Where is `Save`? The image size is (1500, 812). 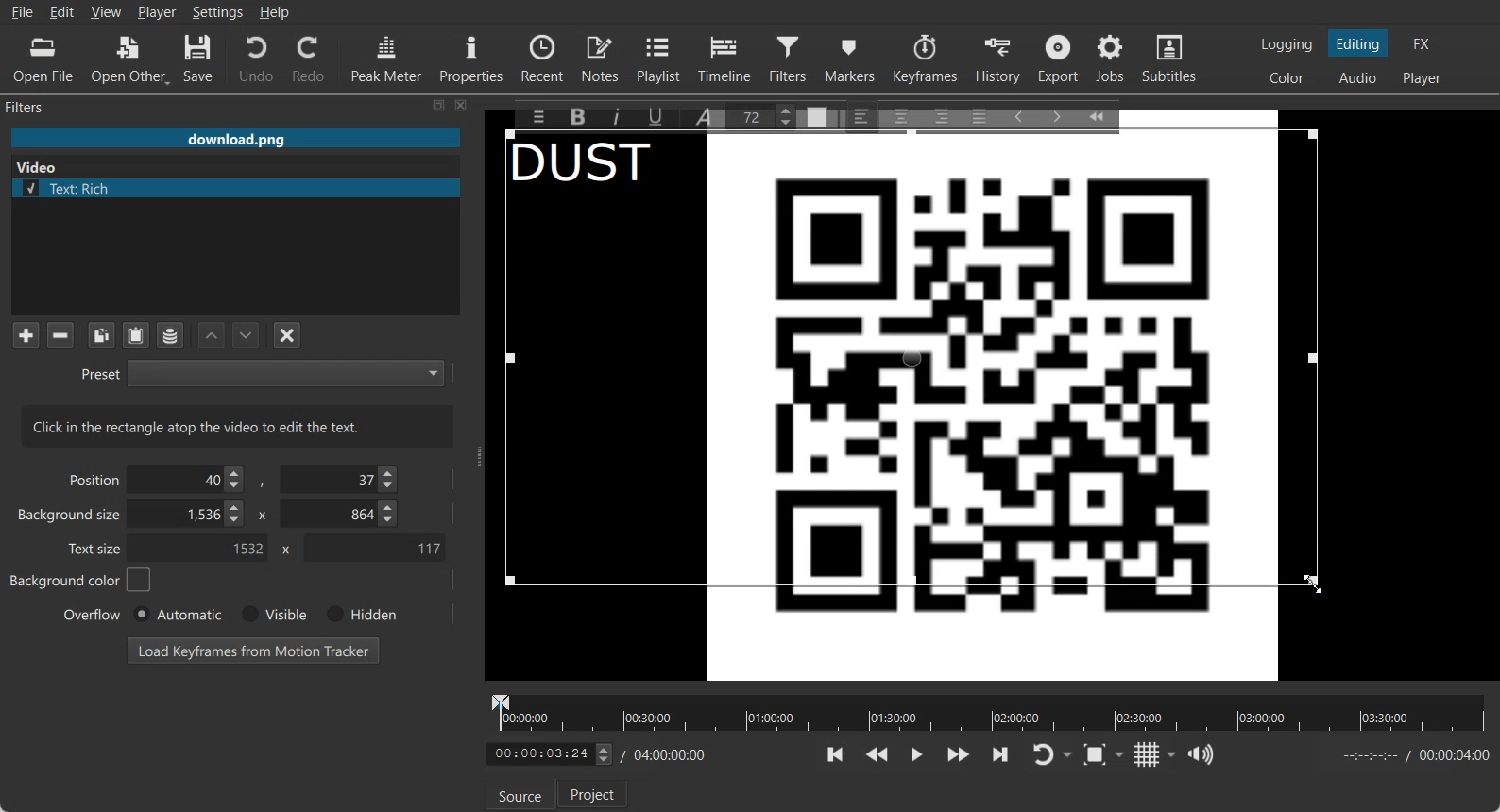
Save is located at coordinates (198, 59).